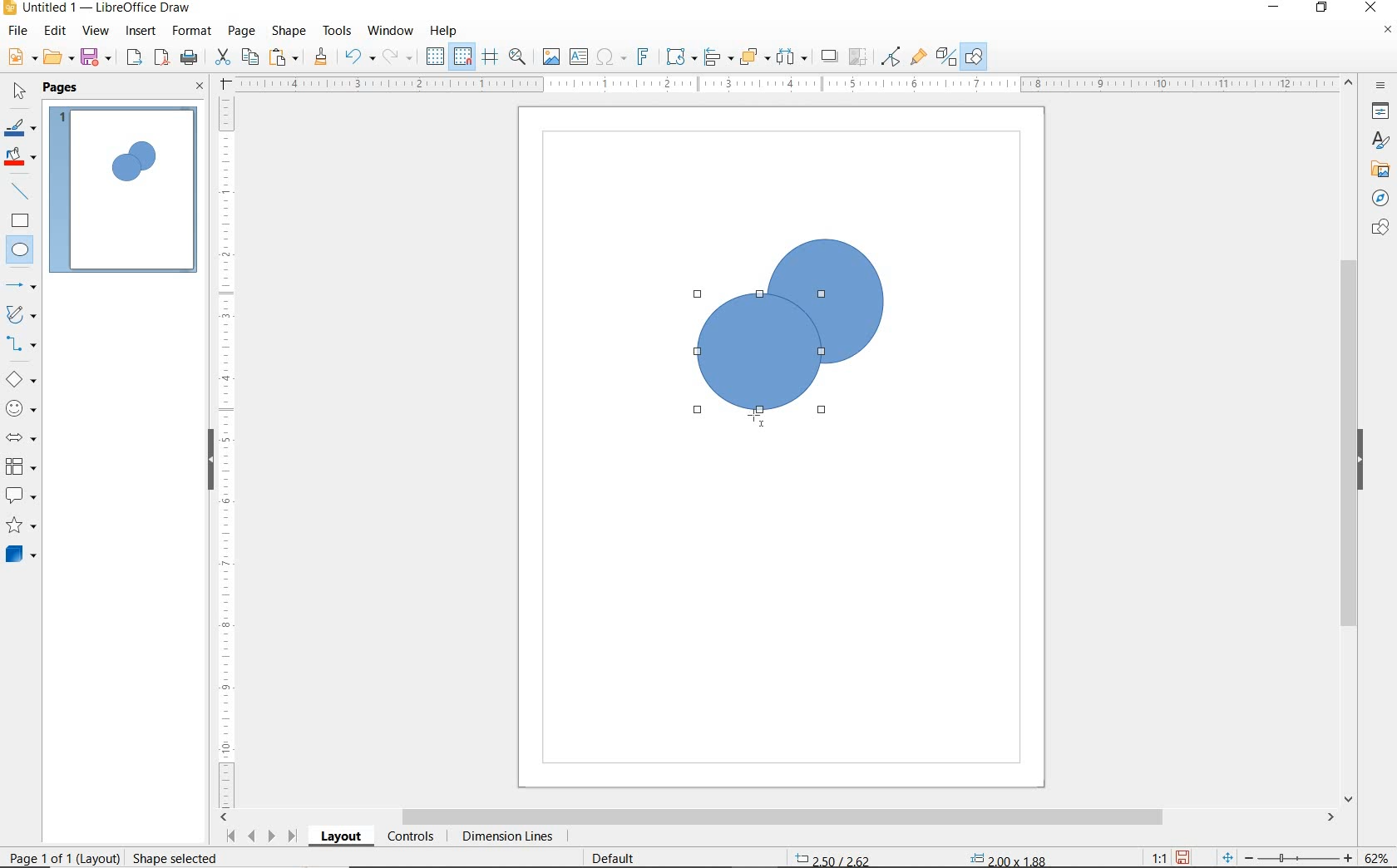 This screenshot has width=1397, height=868. Describe the element at coordinates (259, 836) in the screenshot. I see `SCROLL NEXT` at that location.